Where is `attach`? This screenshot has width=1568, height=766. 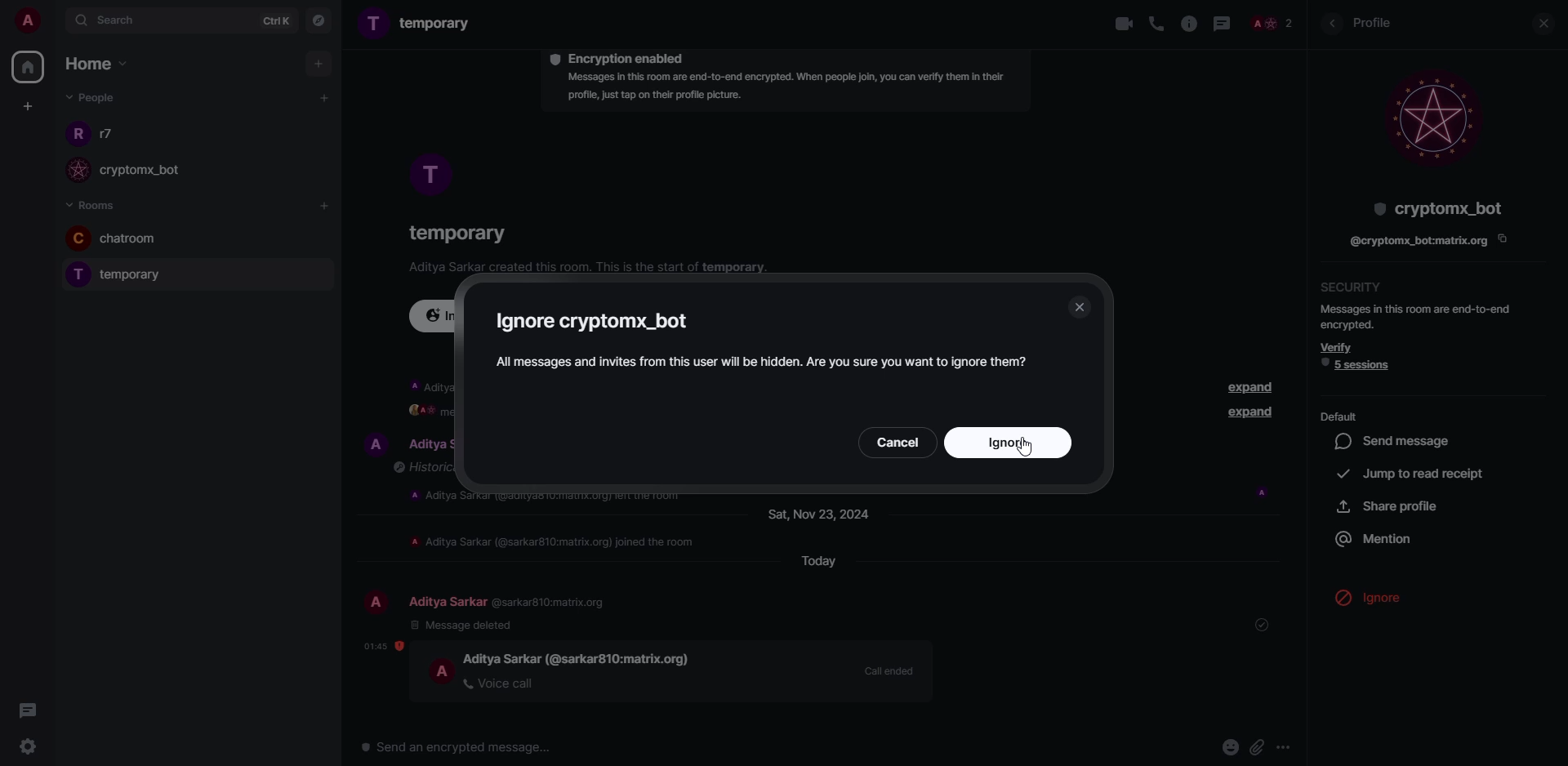
attach is located at coordinates (1258, 748).